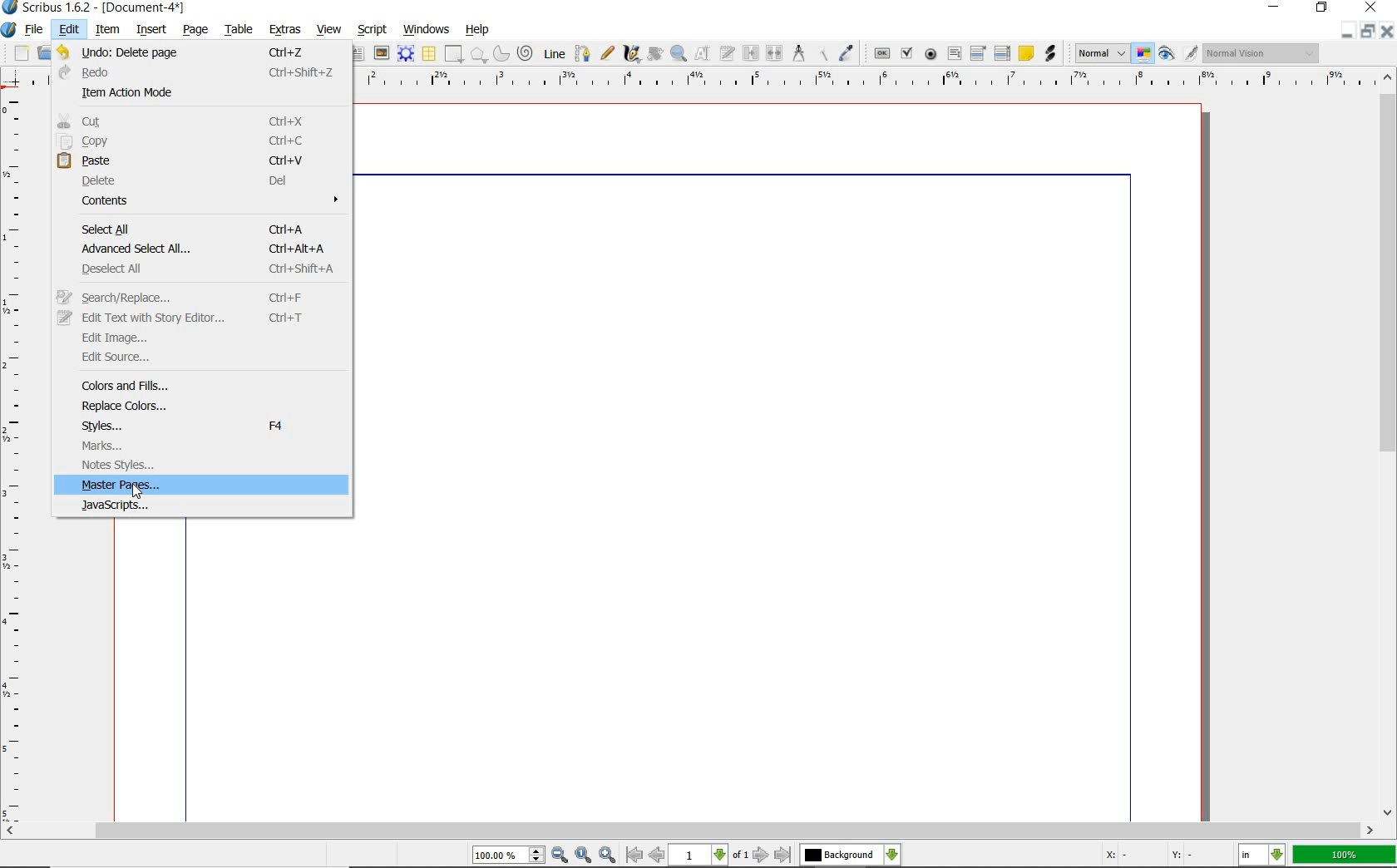  I want to click on edit, so click(67, 31).